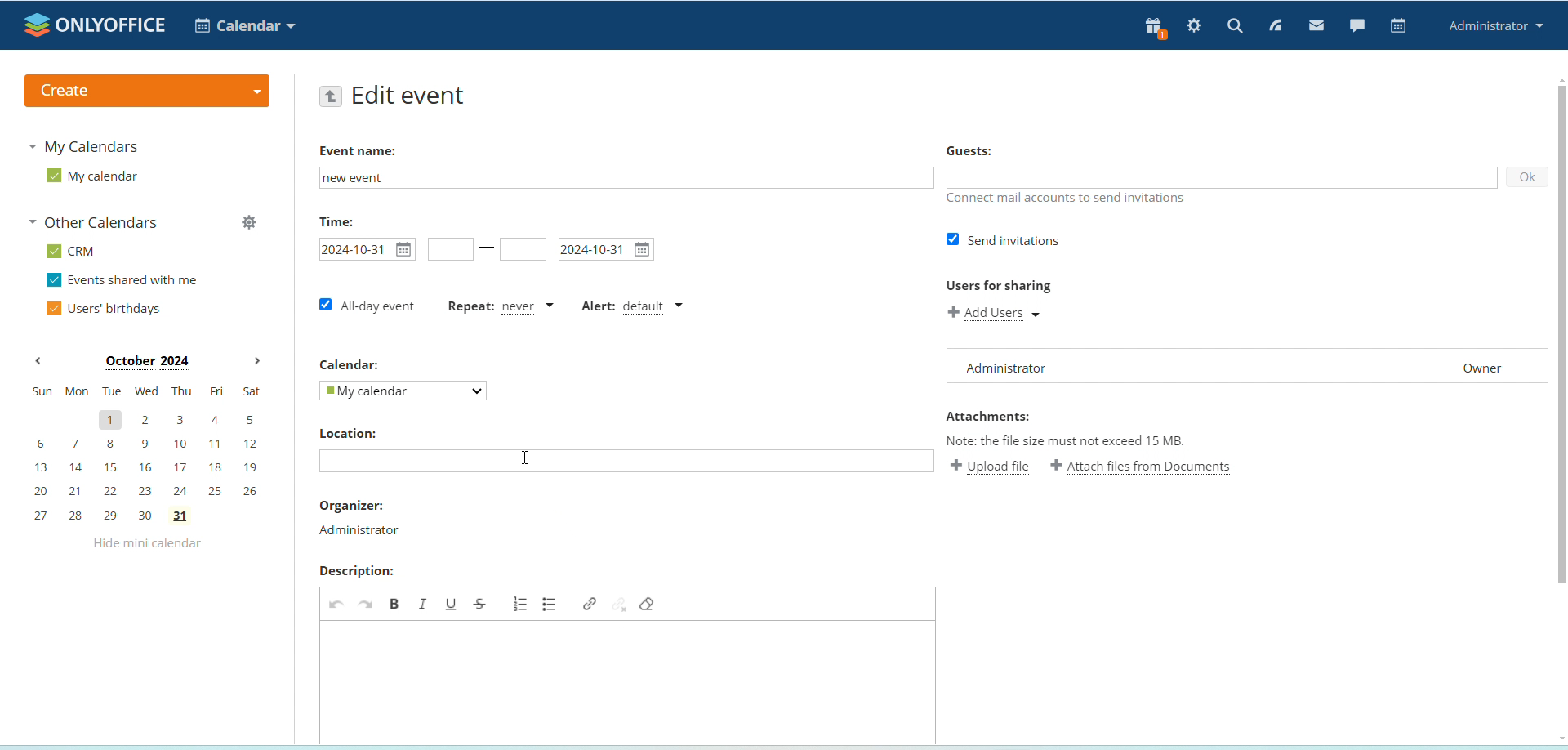 The width and height of the screenshot is (1568, 750). I want to click on scrollbar, so click(1561, 336).